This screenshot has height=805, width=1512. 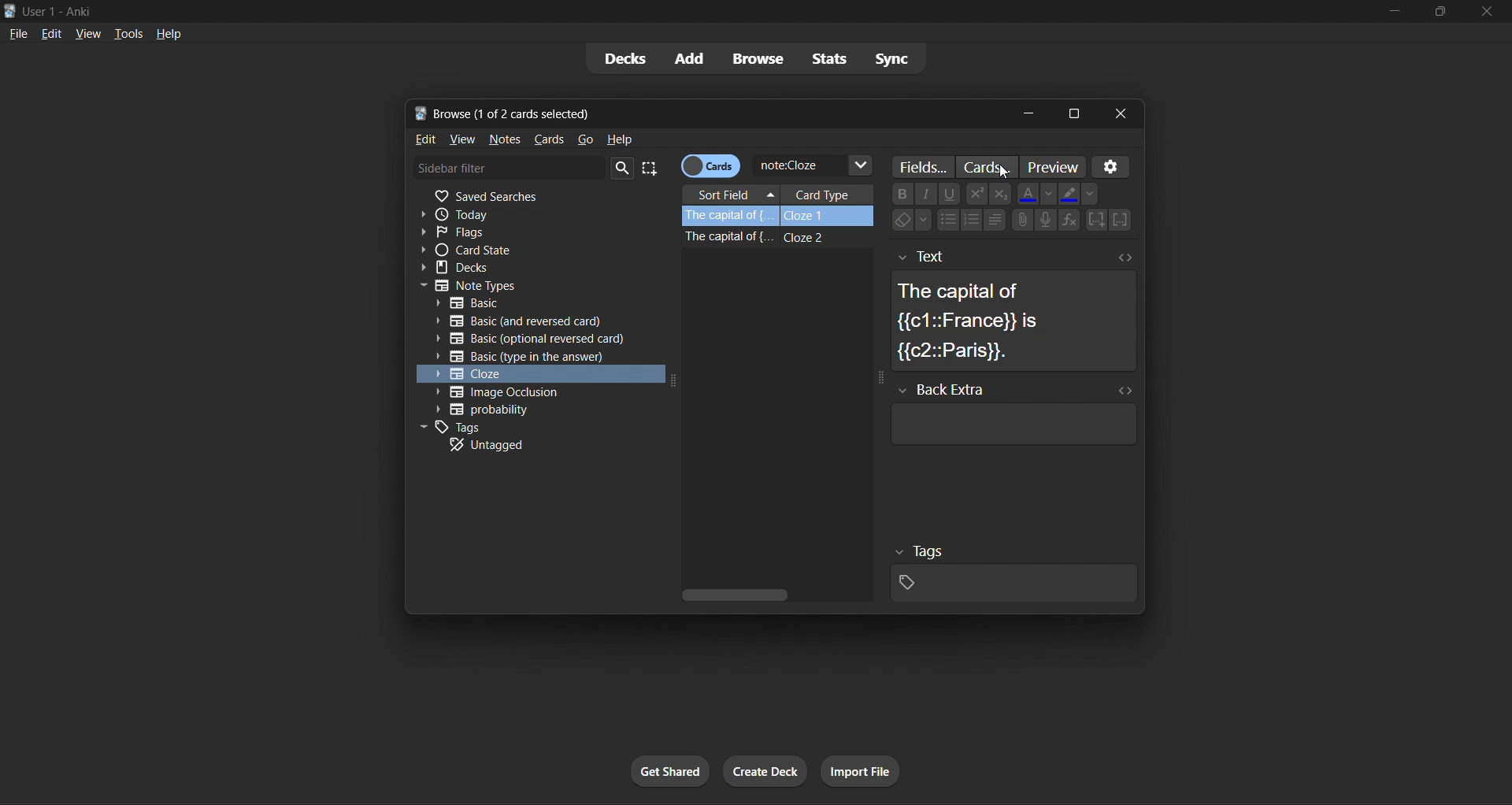 What do you see at coordinates (539, 284) in the screenshot?
I see `notes type filter` at bounding box center [539, 284].